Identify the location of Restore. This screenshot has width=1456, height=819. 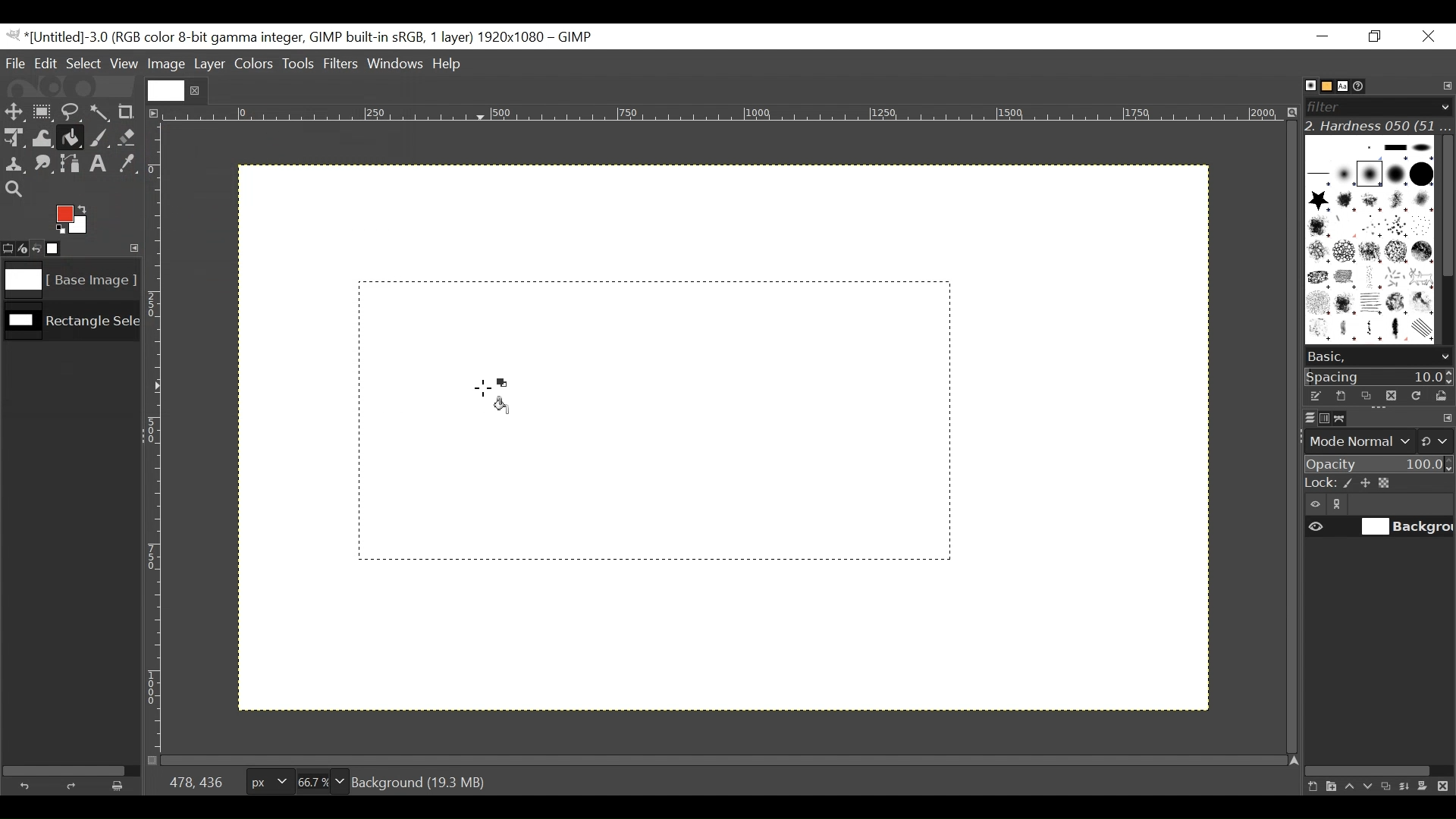
(1378, 37).